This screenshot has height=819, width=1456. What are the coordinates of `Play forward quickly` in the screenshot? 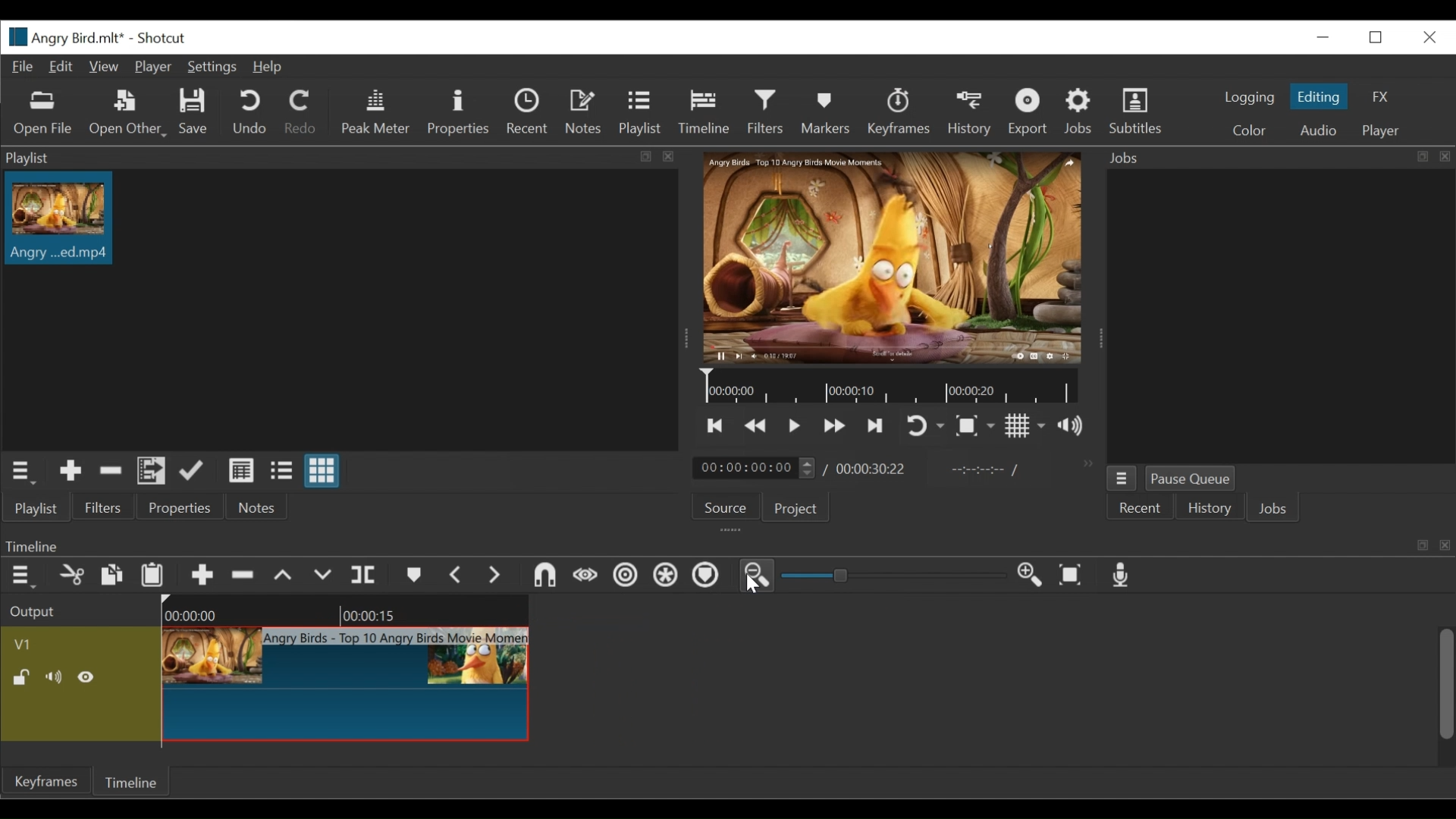 It's located at (836, 426).